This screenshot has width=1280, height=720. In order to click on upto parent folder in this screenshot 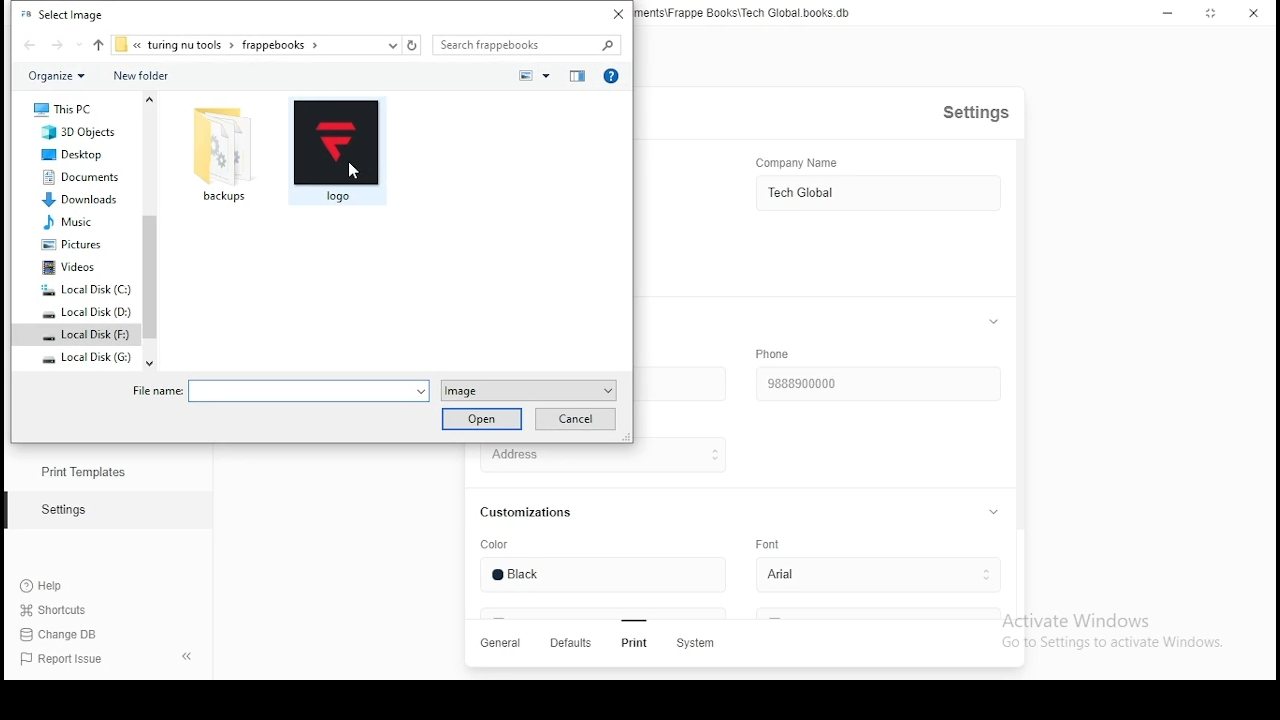, I will do `click(98, 45)`.